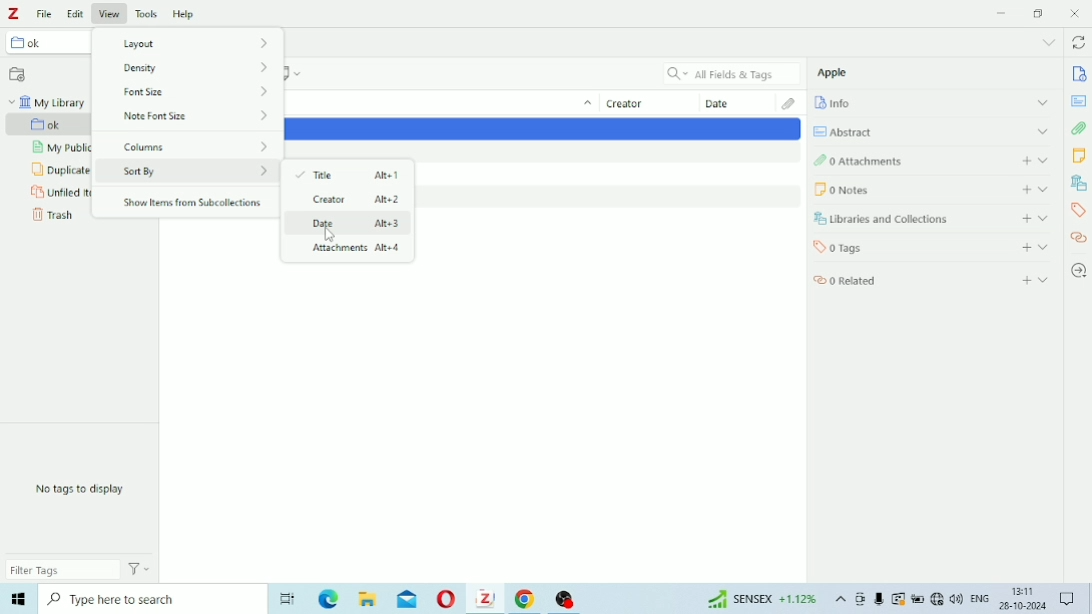 The image size is (1092, 614). What do you see at coordinates (444, 601) in the screenshot?
I see `Opera browser` at bounding box center [444, 601].